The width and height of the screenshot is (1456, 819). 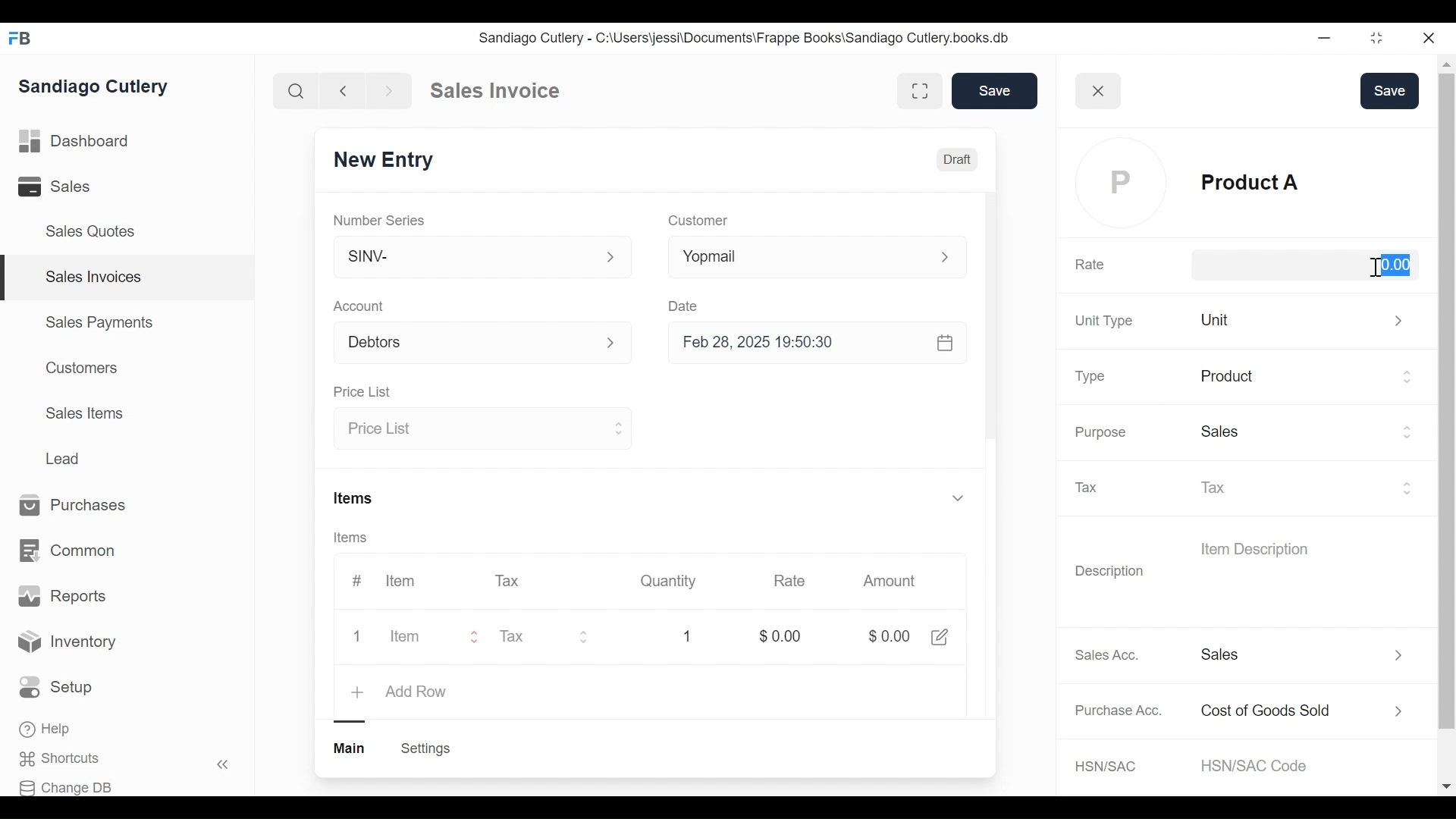 I want to click on Sales Payments, so click(x=98, y=322).